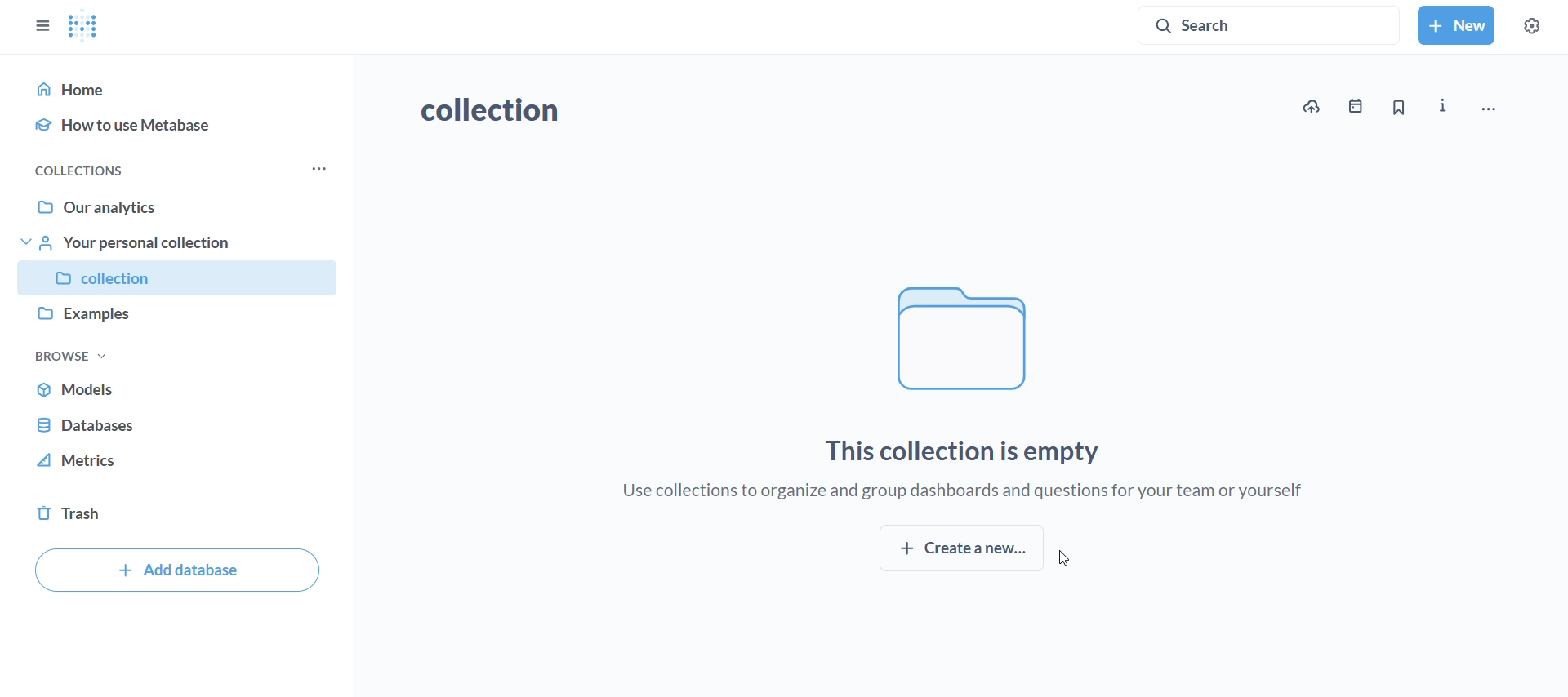 Image resolution: width=1568 pixels, height=697 pixels. Describe the element at coordinates (964, 451) in the screenshot. I see `this collection is empty ` at that location.